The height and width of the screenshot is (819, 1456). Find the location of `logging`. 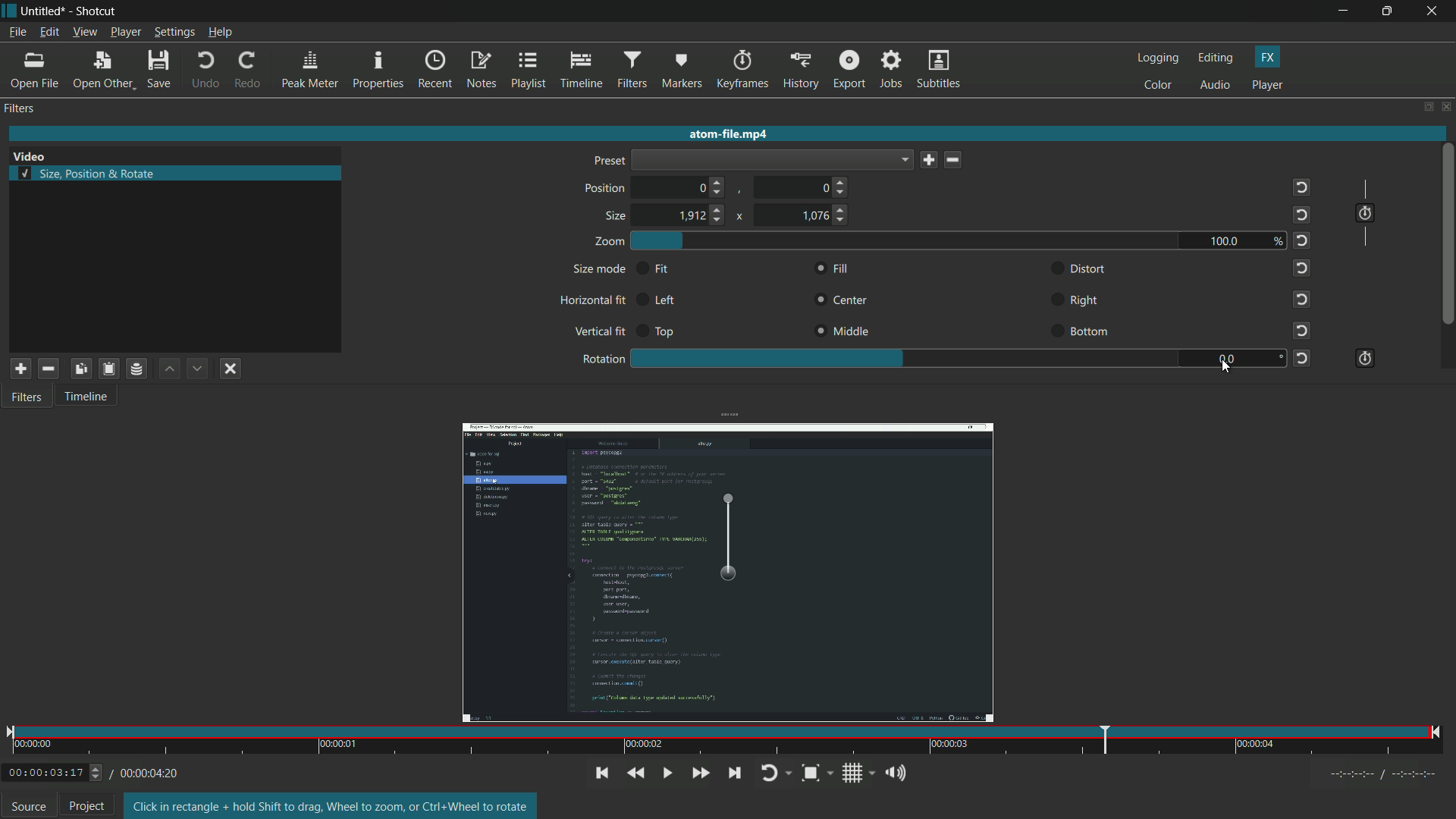

logging is located at coordinates (1159, 58).